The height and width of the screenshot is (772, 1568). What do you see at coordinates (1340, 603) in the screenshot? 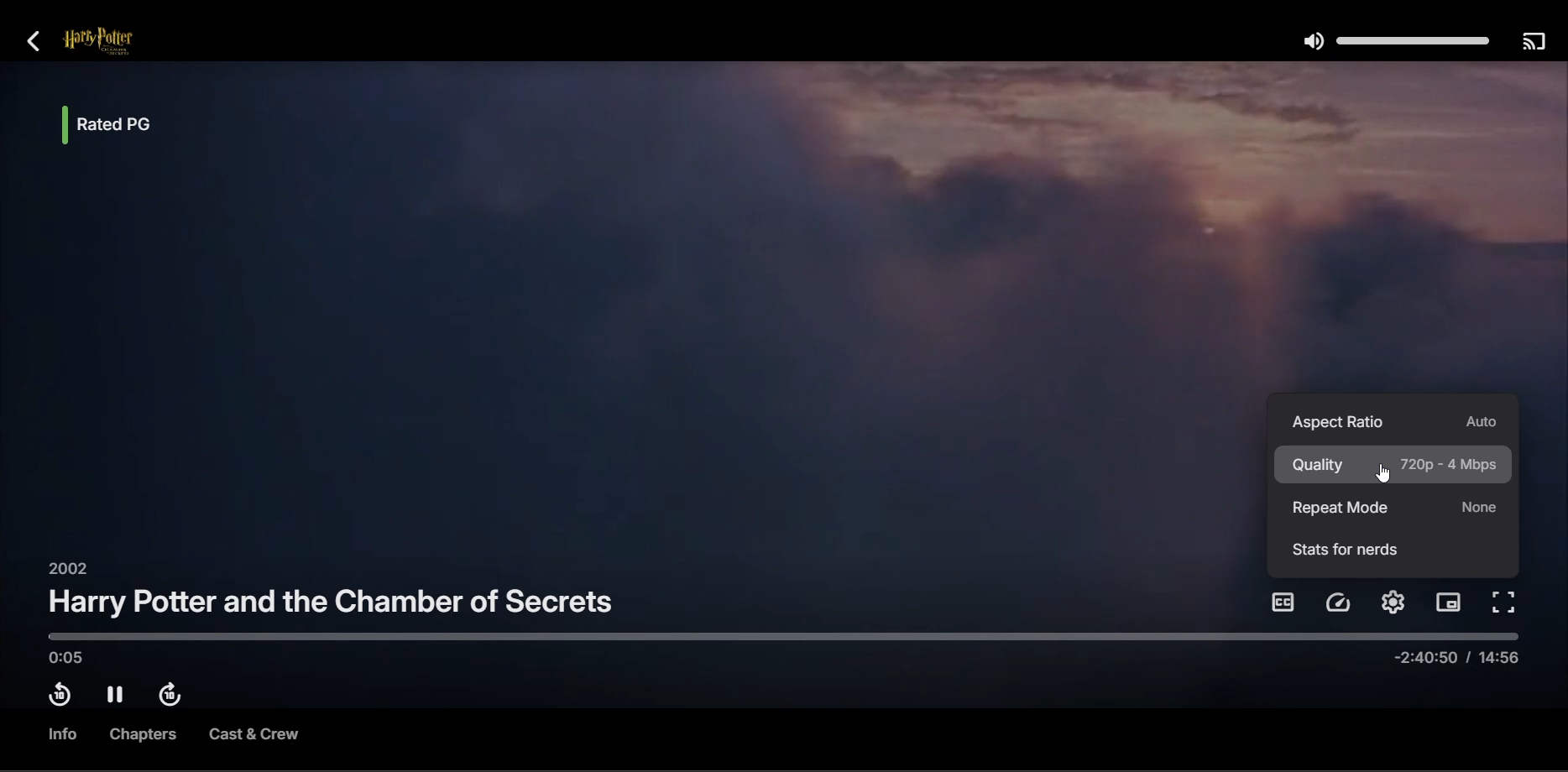
I see `Playback Settings` at bounding box center [1340, 603].